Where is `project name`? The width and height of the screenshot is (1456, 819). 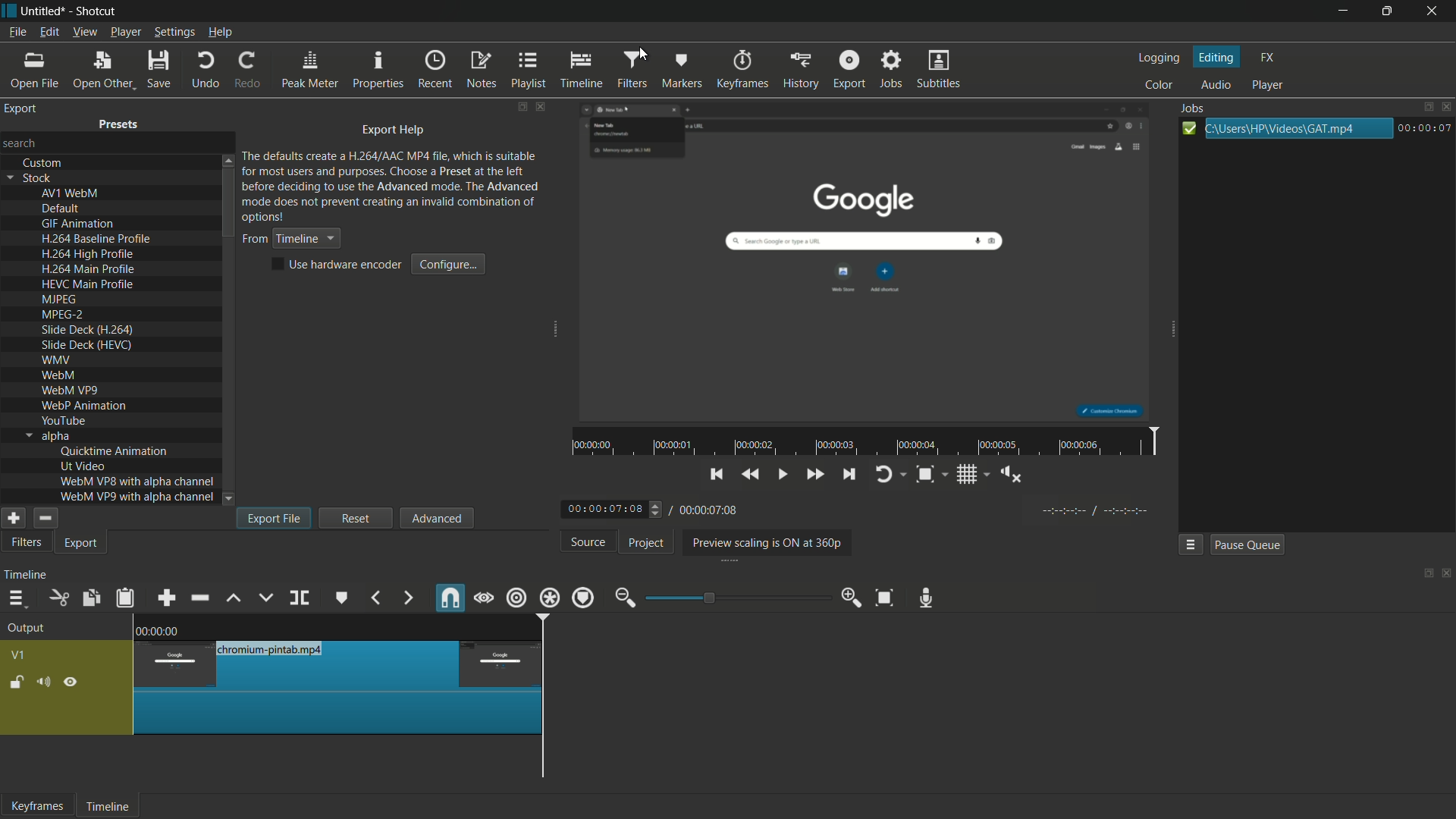
project name is located at coordinates (41, 11).